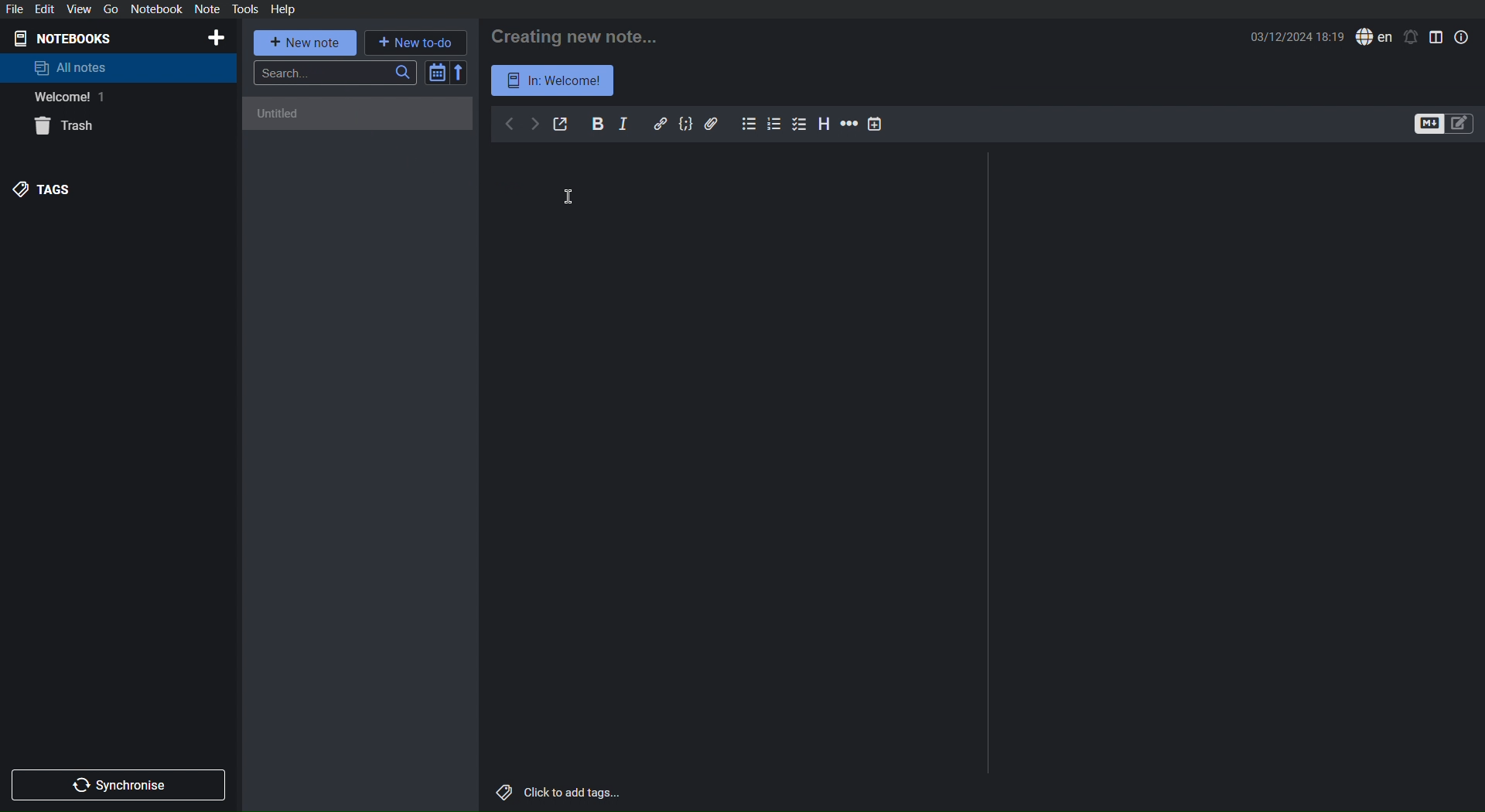  I want to click on Italics, so click(624, 124).